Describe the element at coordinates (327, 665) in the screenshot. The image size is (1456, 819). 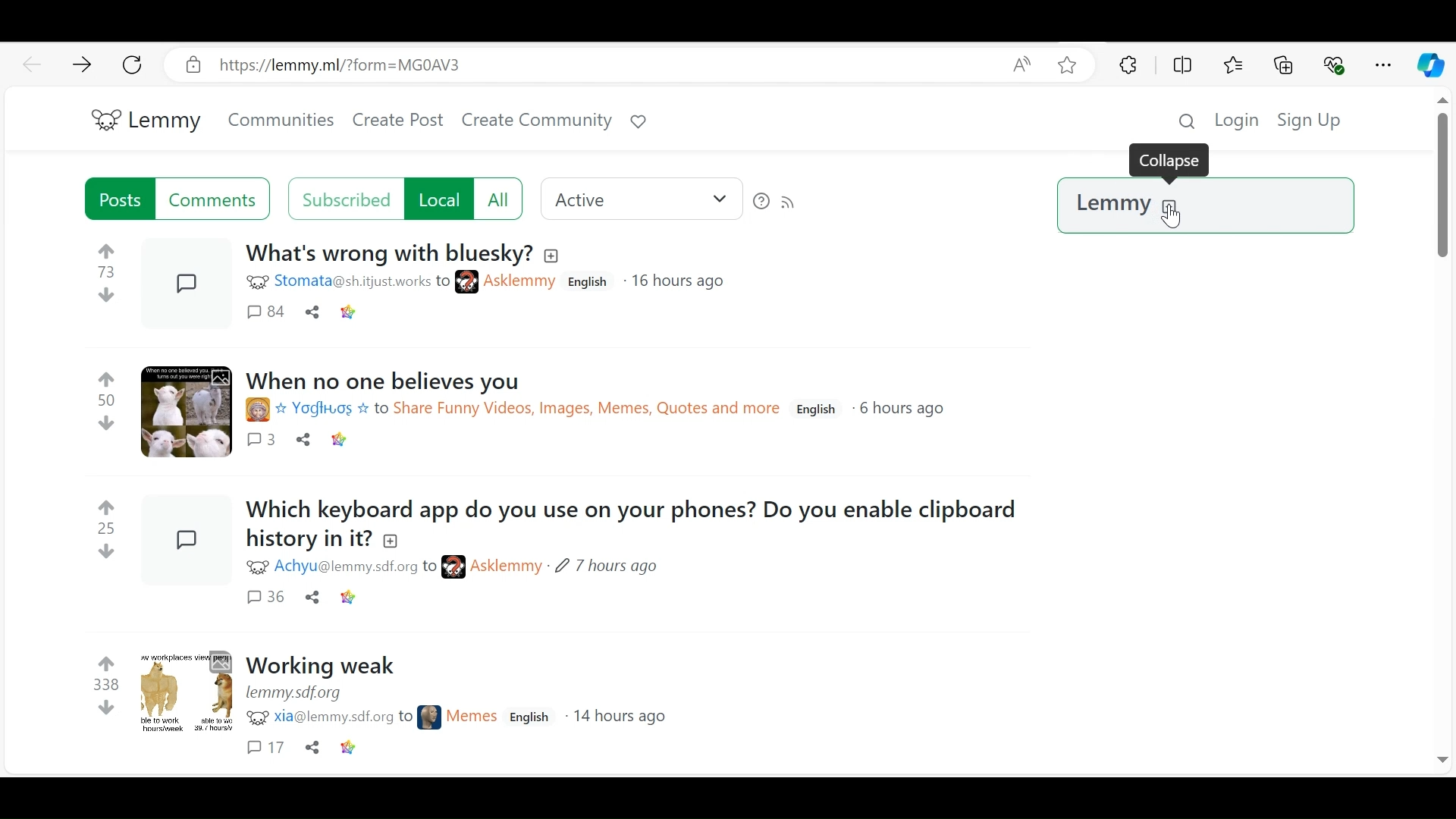
I see `Title` at that location.